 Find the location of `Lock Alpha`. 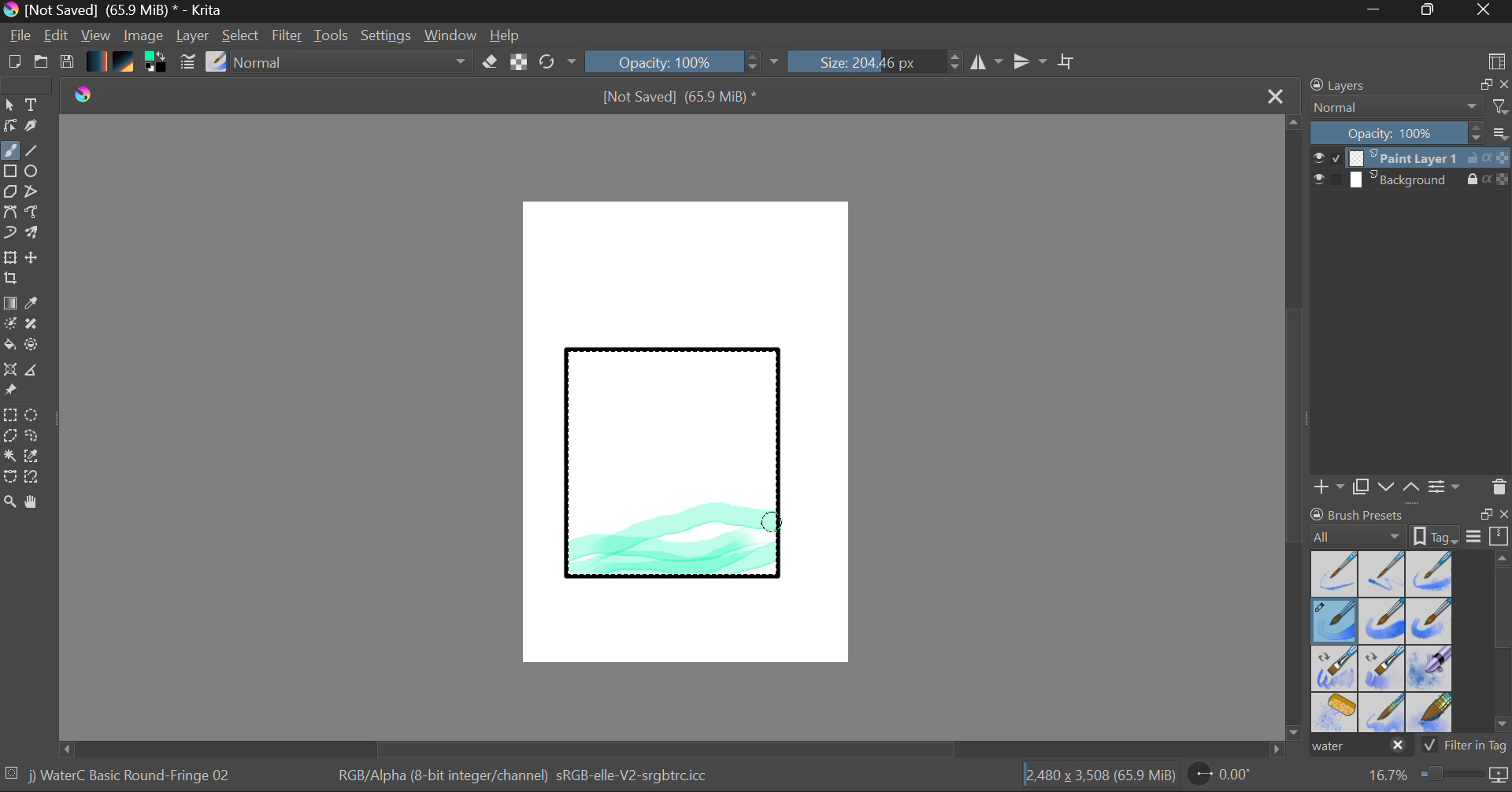

Lock Alpha is located at coordinates (517, 63).